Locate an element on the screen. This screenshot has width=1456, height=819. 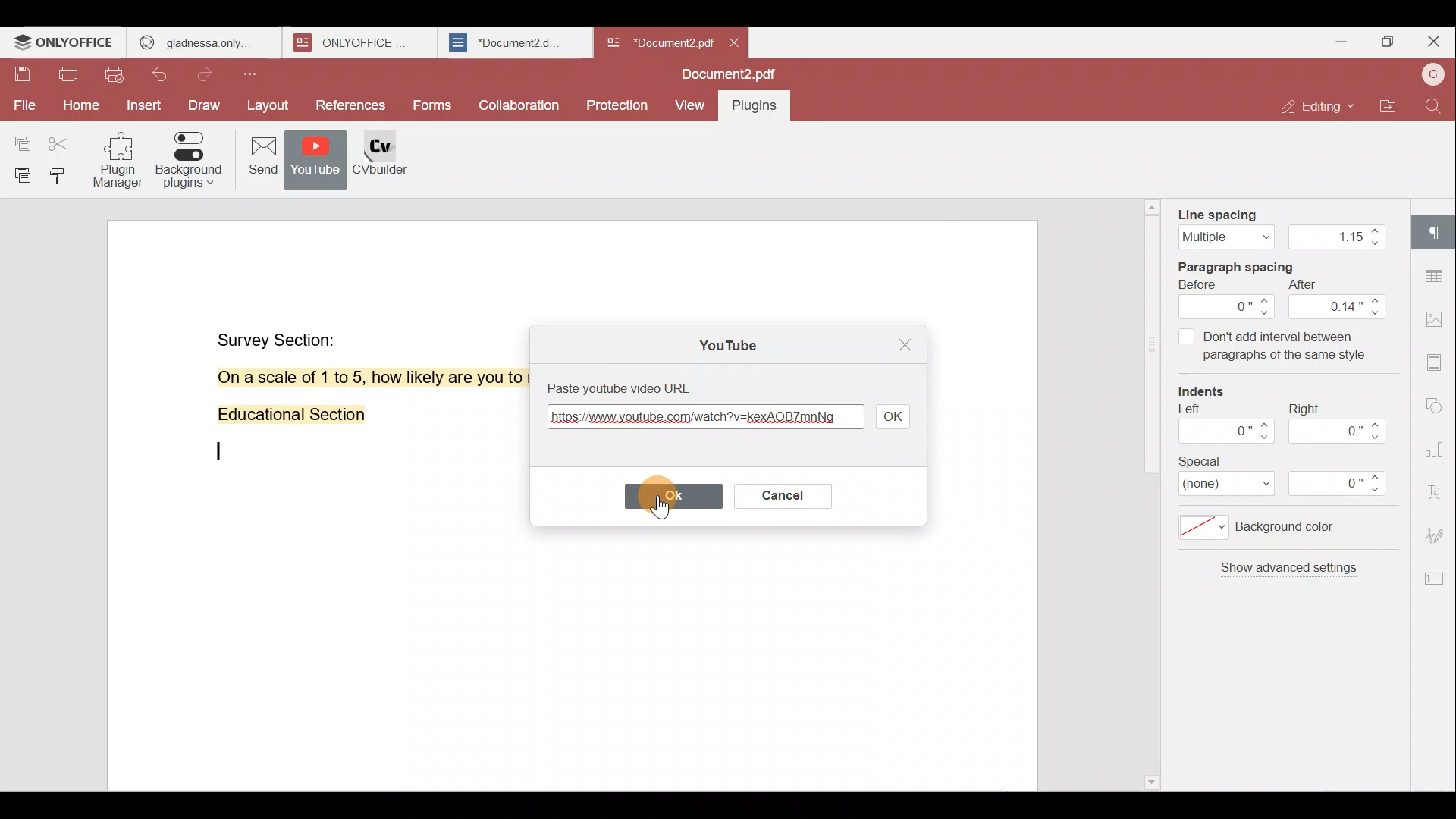
Save is located at coordinates (22, 78).